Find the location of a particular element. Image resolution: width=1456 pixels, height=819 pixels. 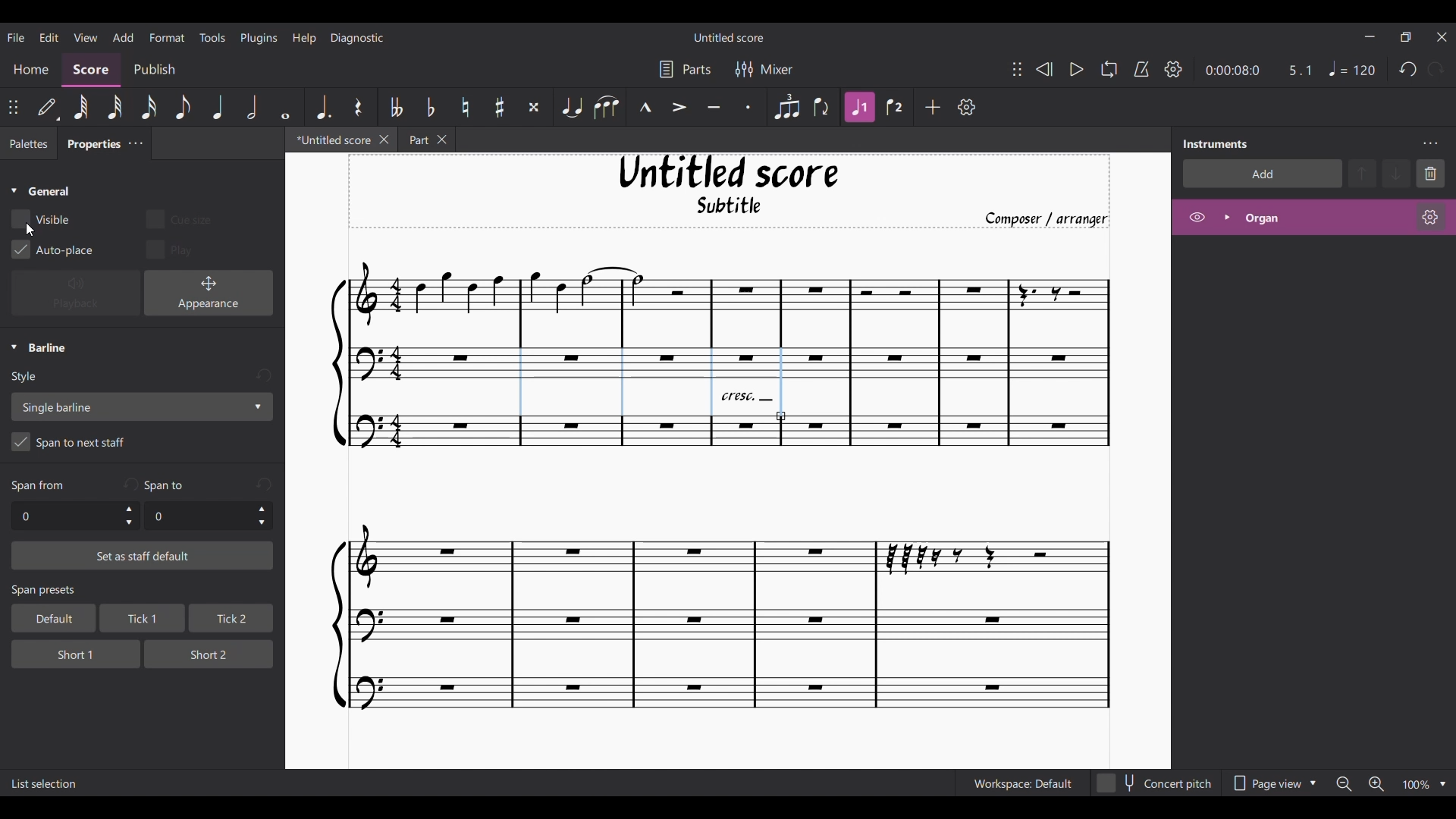

Flip direction is located at coordinates (823, 107).